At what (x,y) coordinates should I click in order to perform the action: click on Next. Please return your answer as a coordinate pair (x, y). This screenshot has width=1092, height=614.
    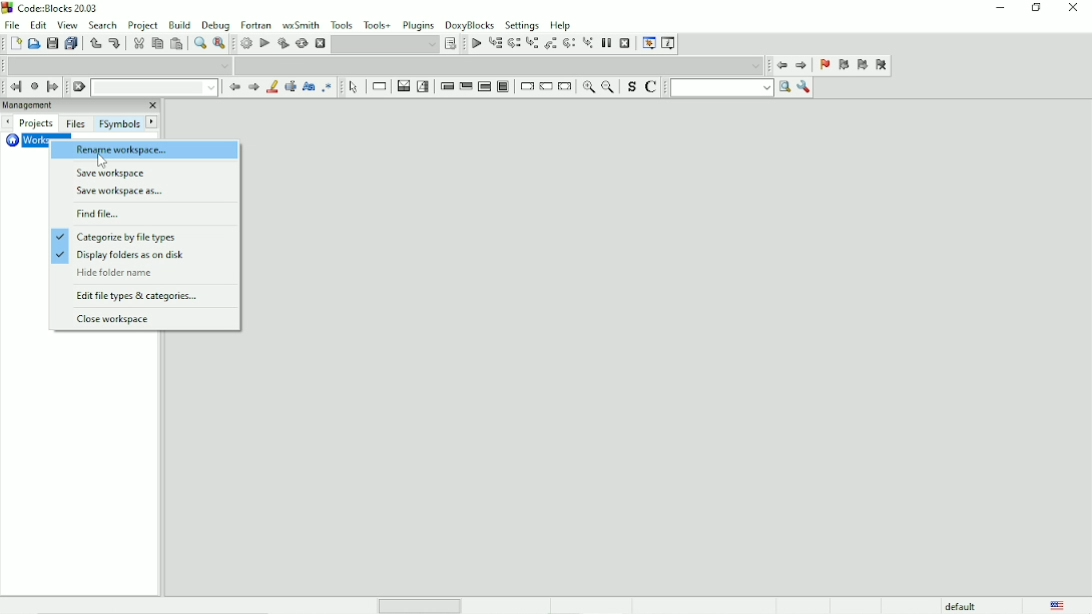
    Looking at the image, I should click on (253, 87).